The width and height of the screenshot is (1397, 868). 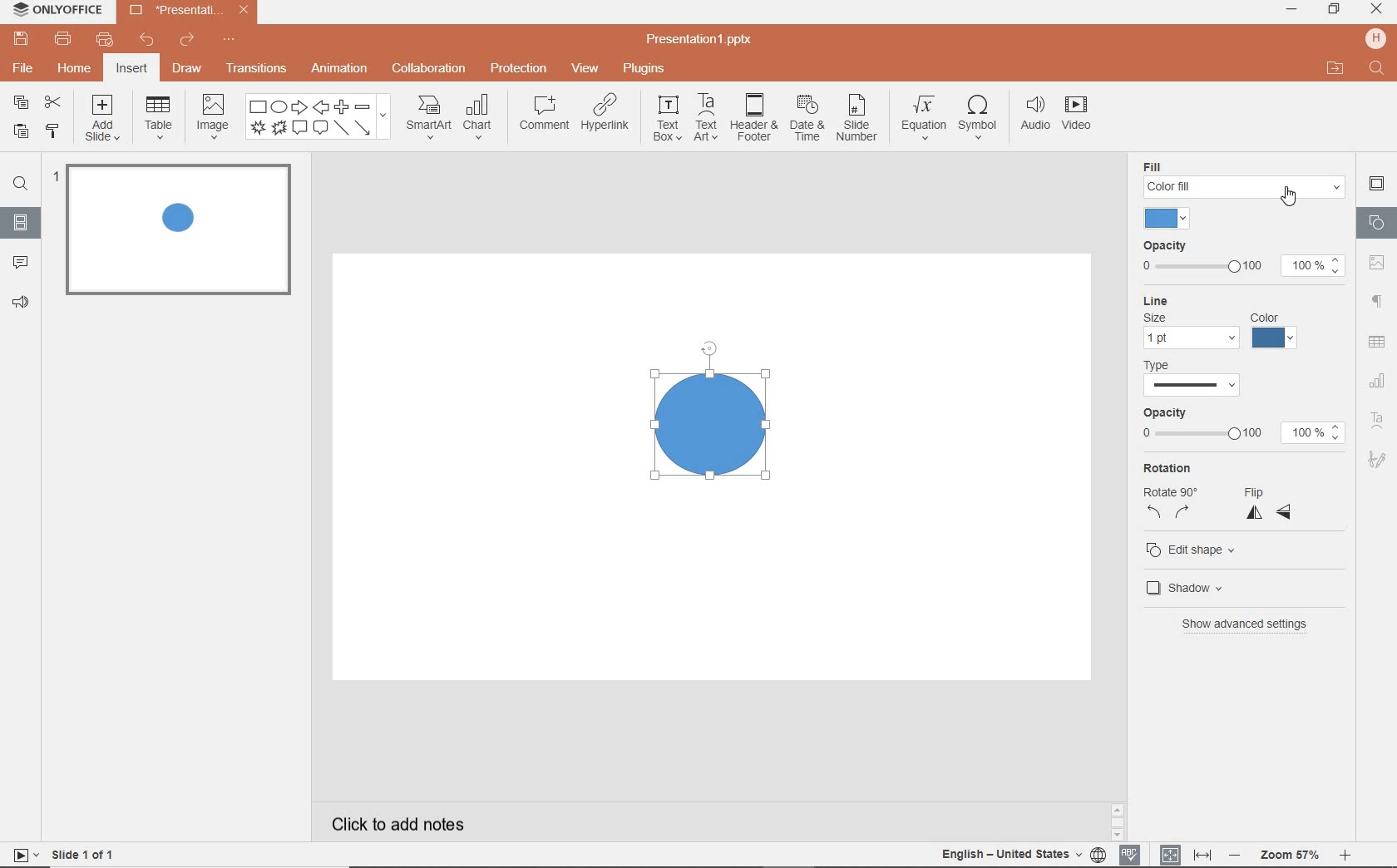 I want to click on add slide, so click(x=104, y=119).